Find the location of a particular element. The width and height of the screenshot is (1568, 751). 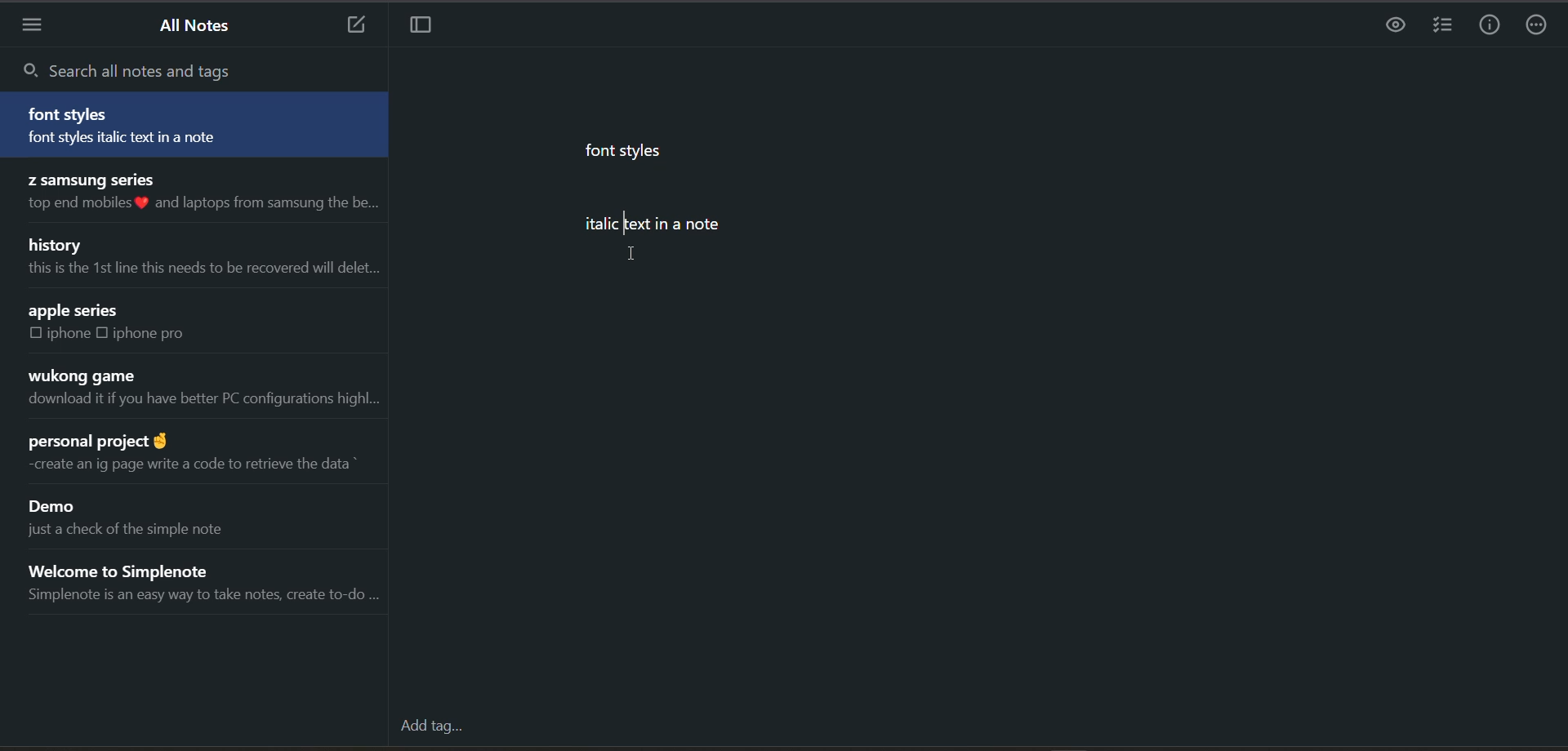

all notes is located at coordinates (199, 29).